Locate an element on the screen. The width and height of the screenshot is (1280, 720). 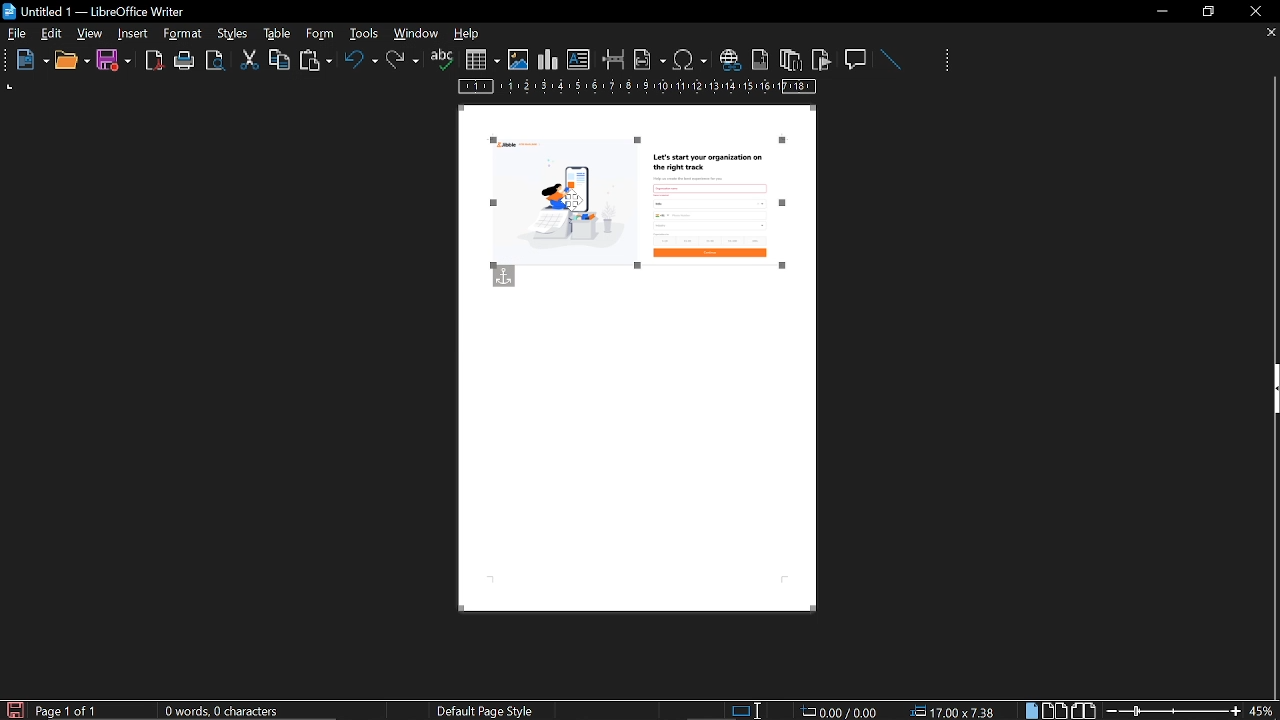
page style is located at coordinates (489, 710).